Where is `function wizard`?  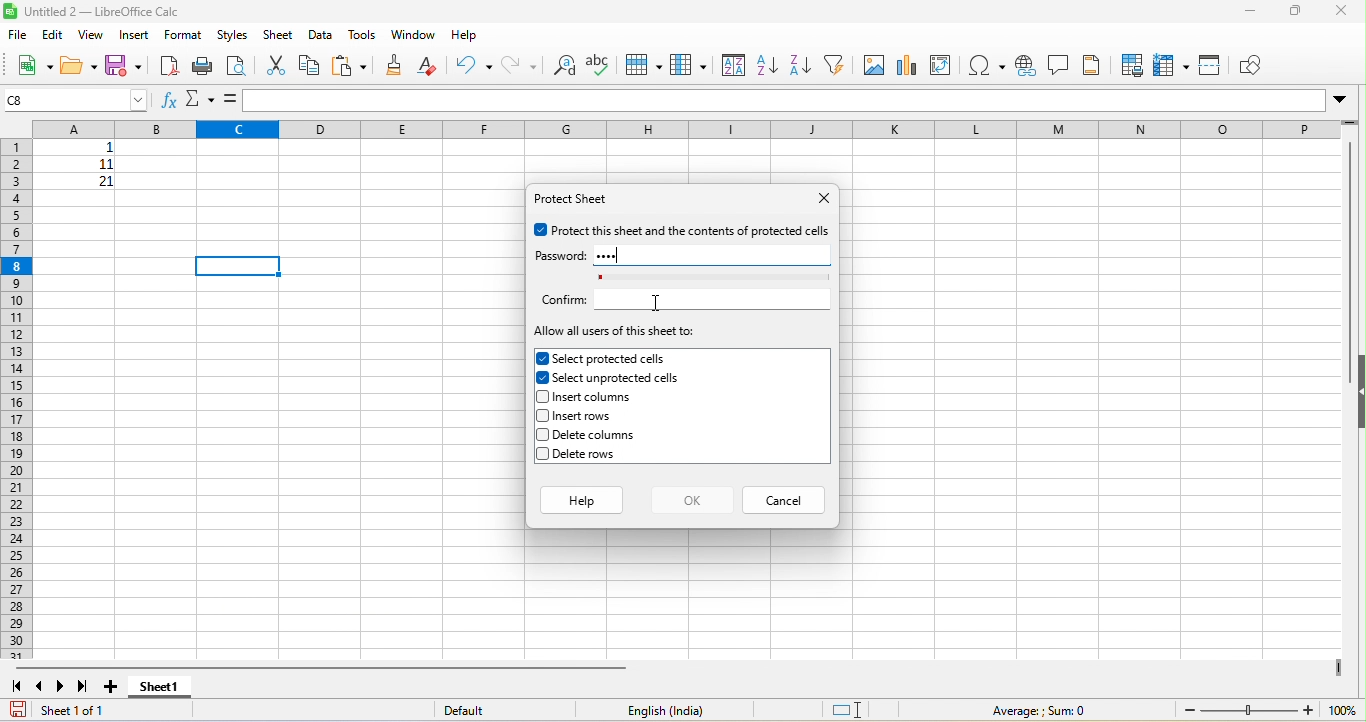 function wizard is located at coordinates (169, 102).